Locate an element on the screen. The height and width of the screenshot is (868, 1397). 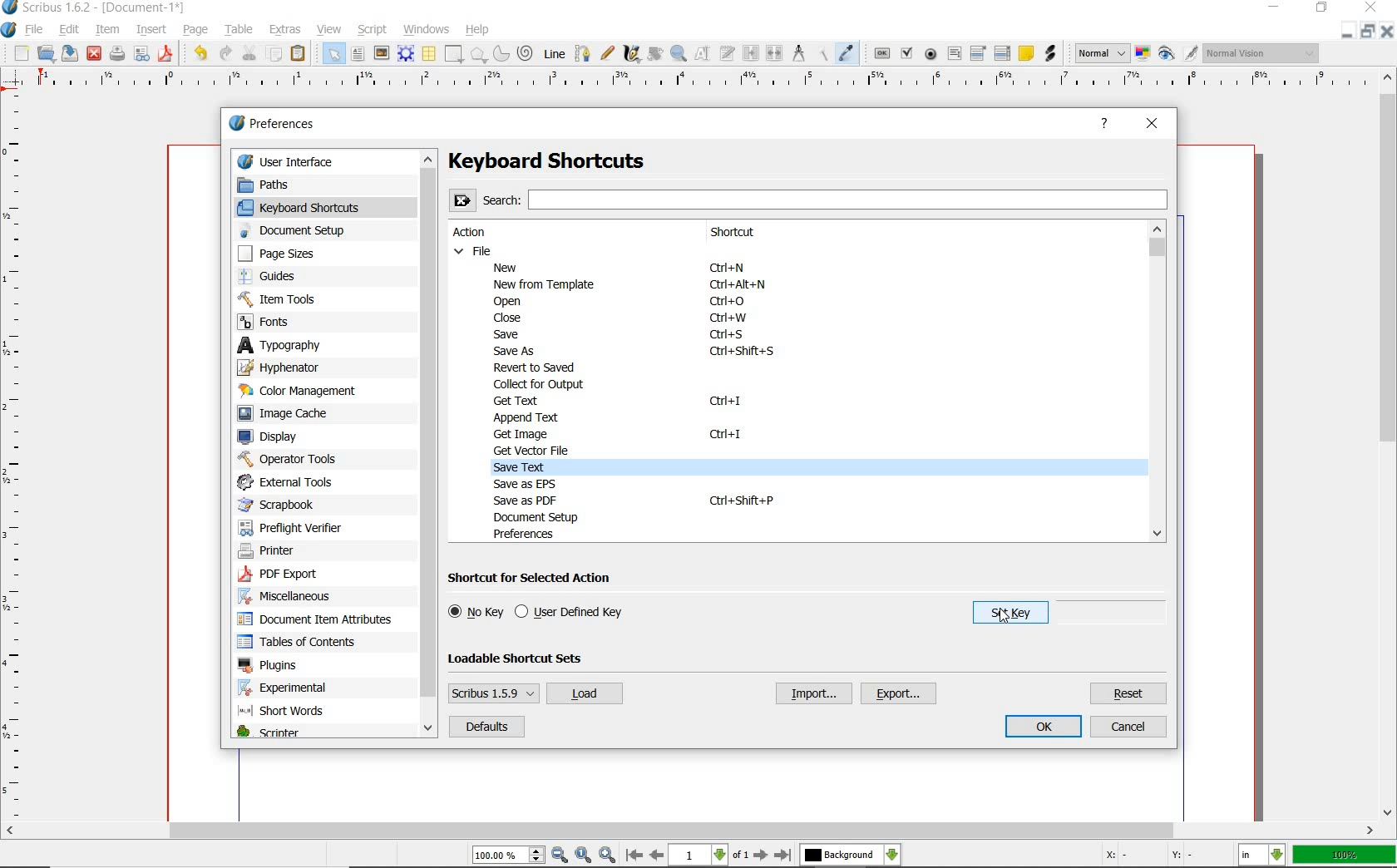
select image preview mode is located at coordinates (1100, 53).